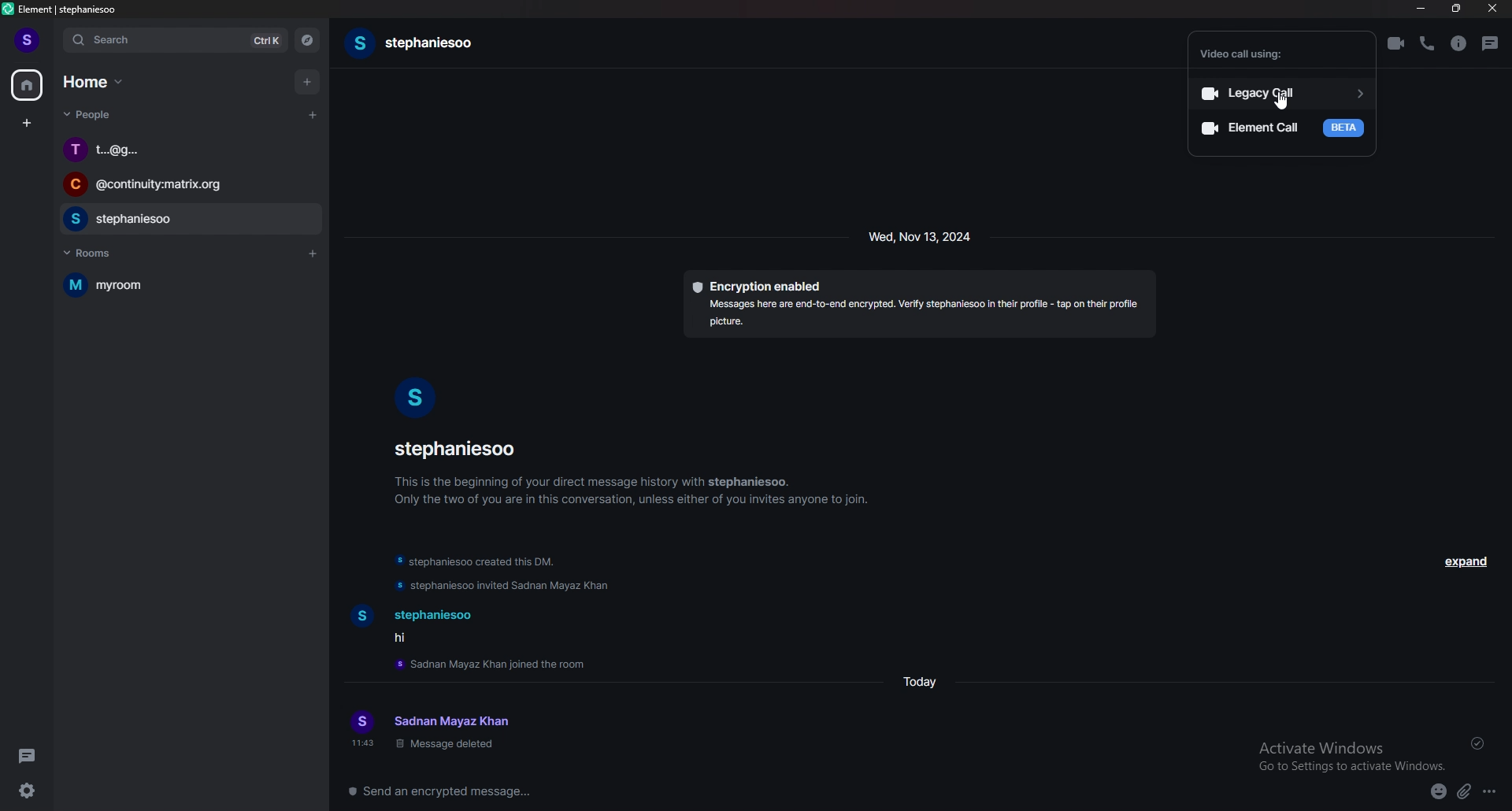 The width and height of the screenshot is (1512, 811). Describe the element at coordinates (1433, 794) in the screenshot. I see `emoji` at that location.